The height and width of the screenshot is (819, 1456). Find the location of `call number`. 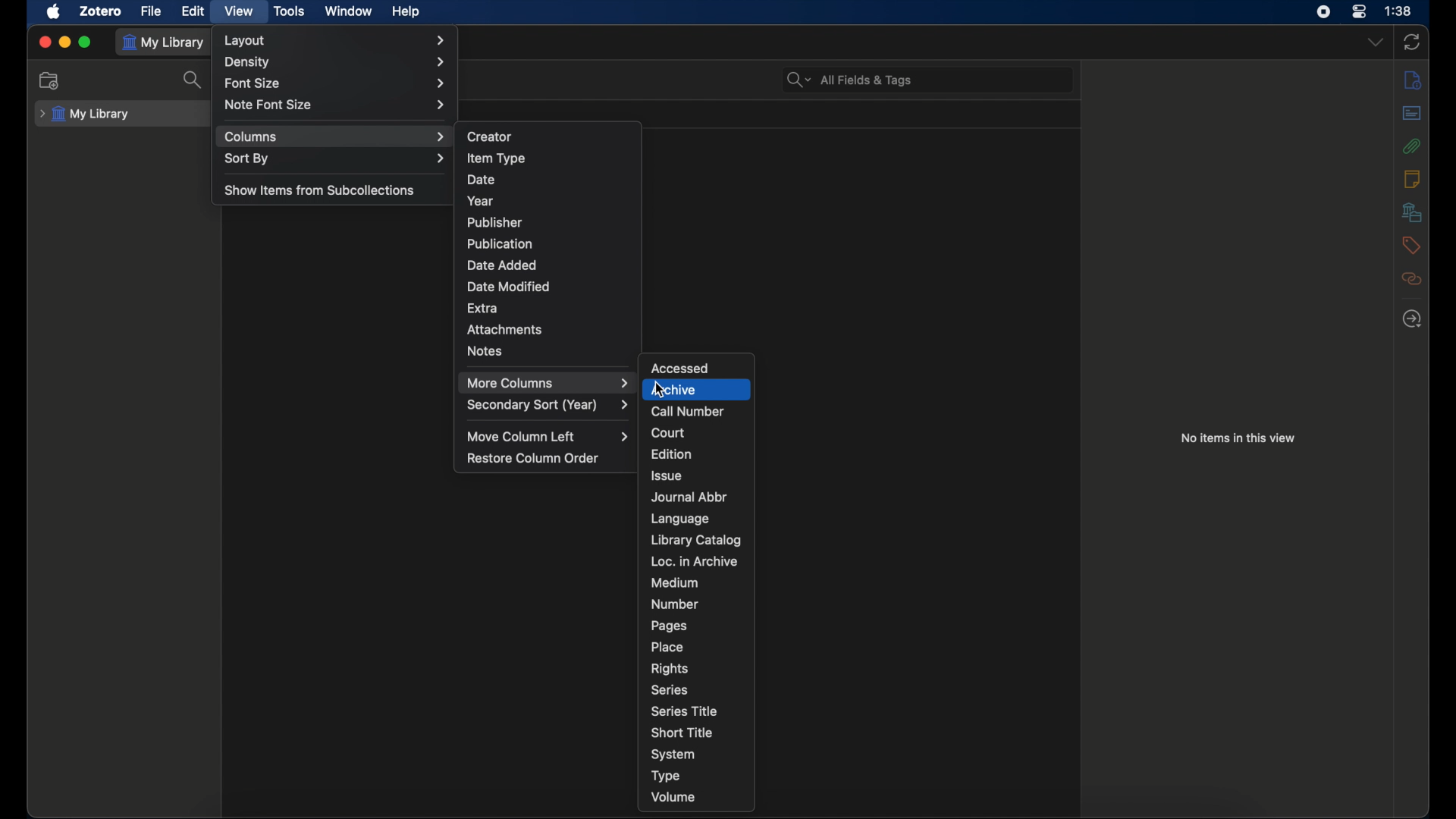

call number is located at coordinates (687, 412).